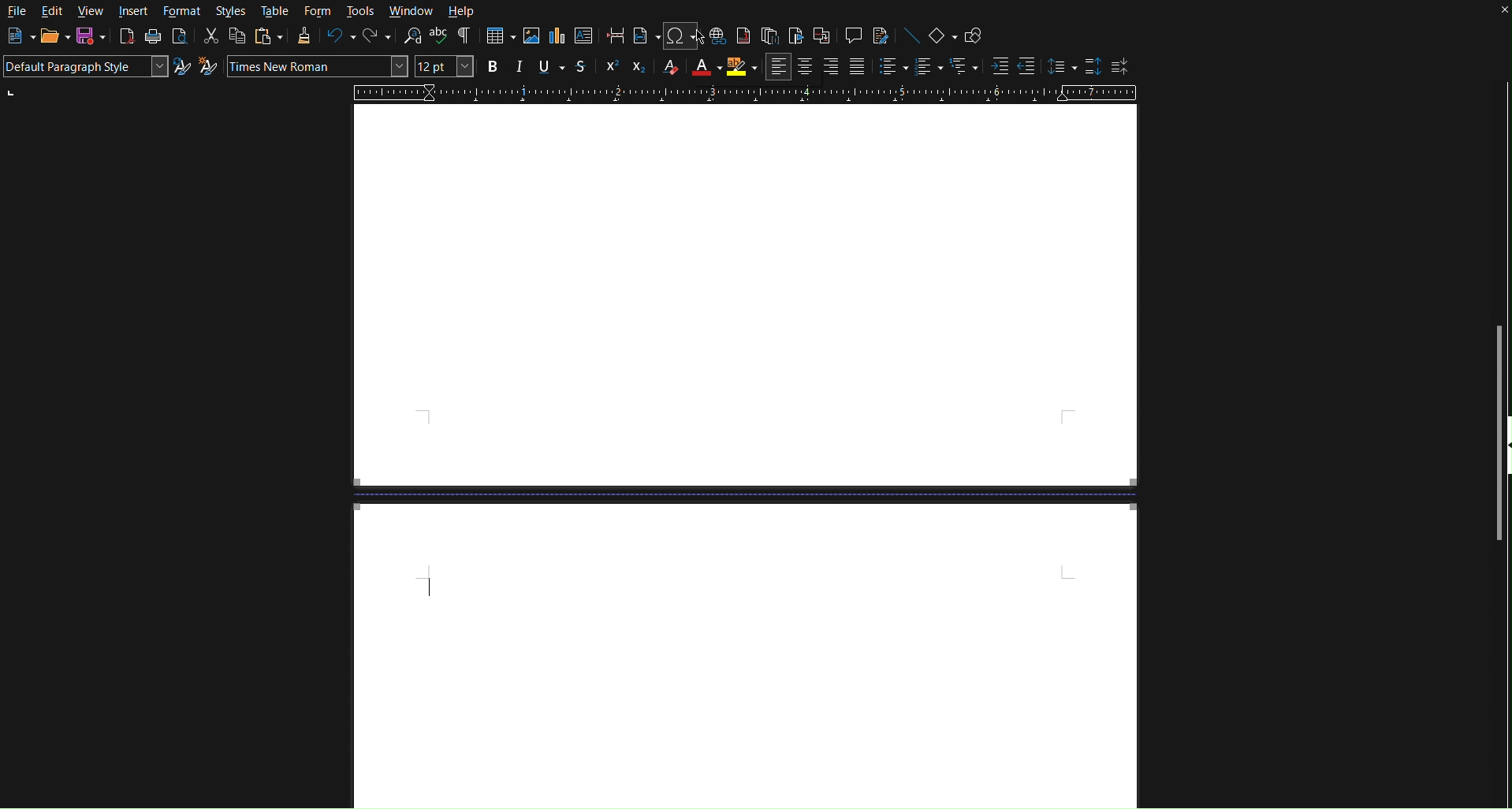 This screenshot has height=809, width=1512. Describe the element at coordinates (715, 35) in the screenshot. I see `Insert Hyperlink` at that location.